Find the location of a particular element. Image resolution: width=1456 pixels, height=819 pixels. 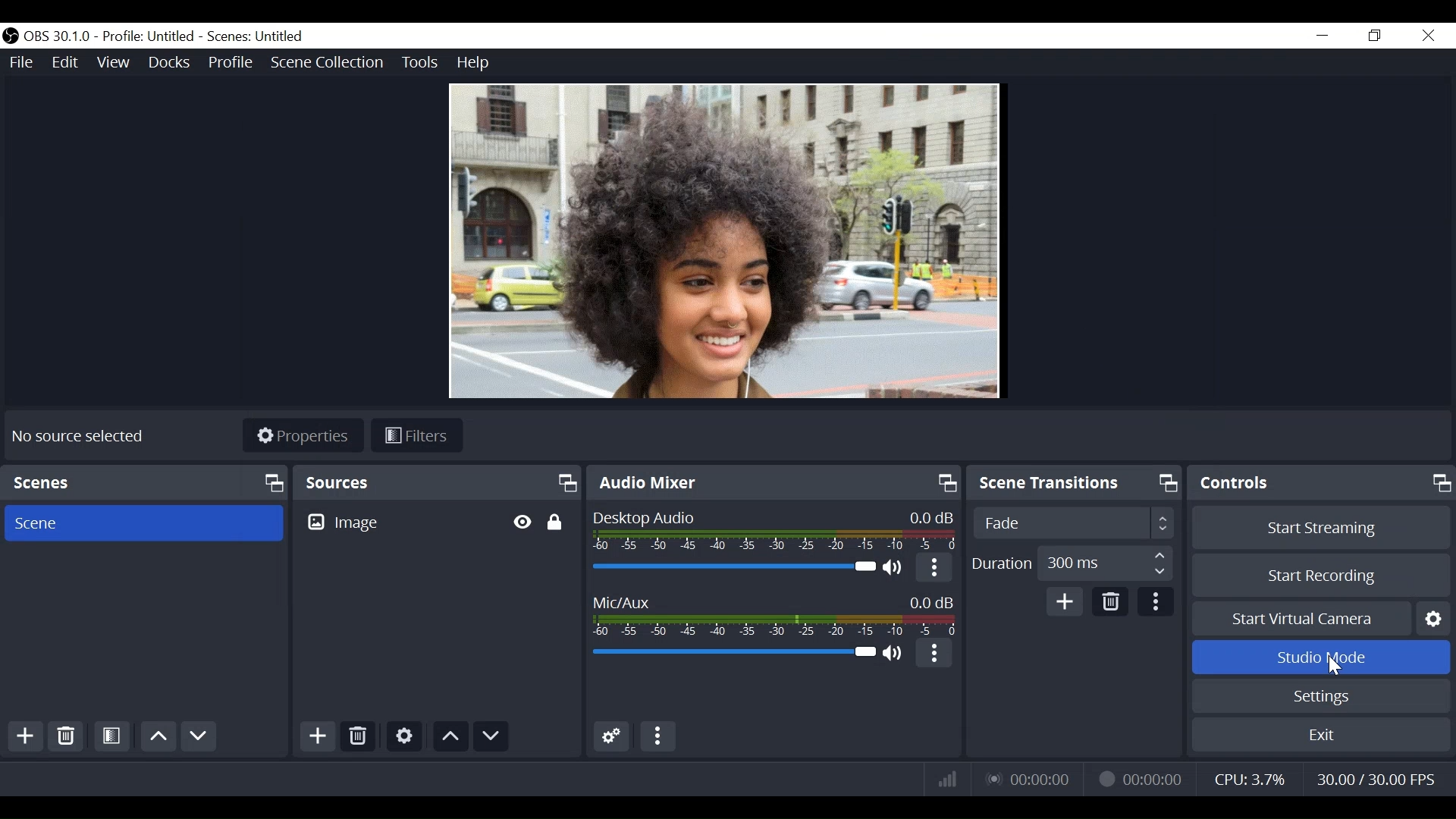

File is located at coordinates (20, 63).